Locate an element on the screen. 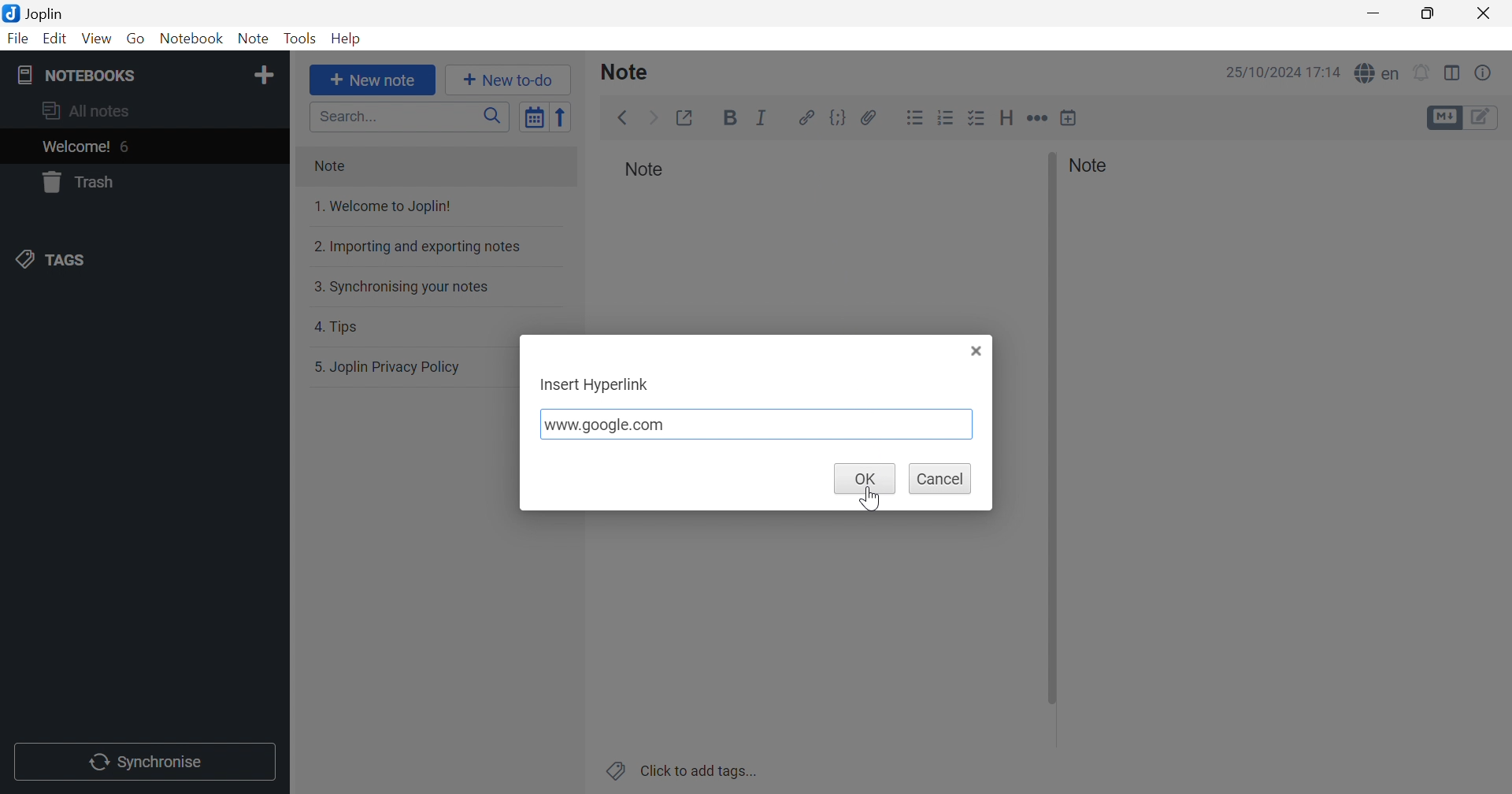 This screenshot has height=794, width=1512. 25/10/2024 is located at coordinates (1261, 73).